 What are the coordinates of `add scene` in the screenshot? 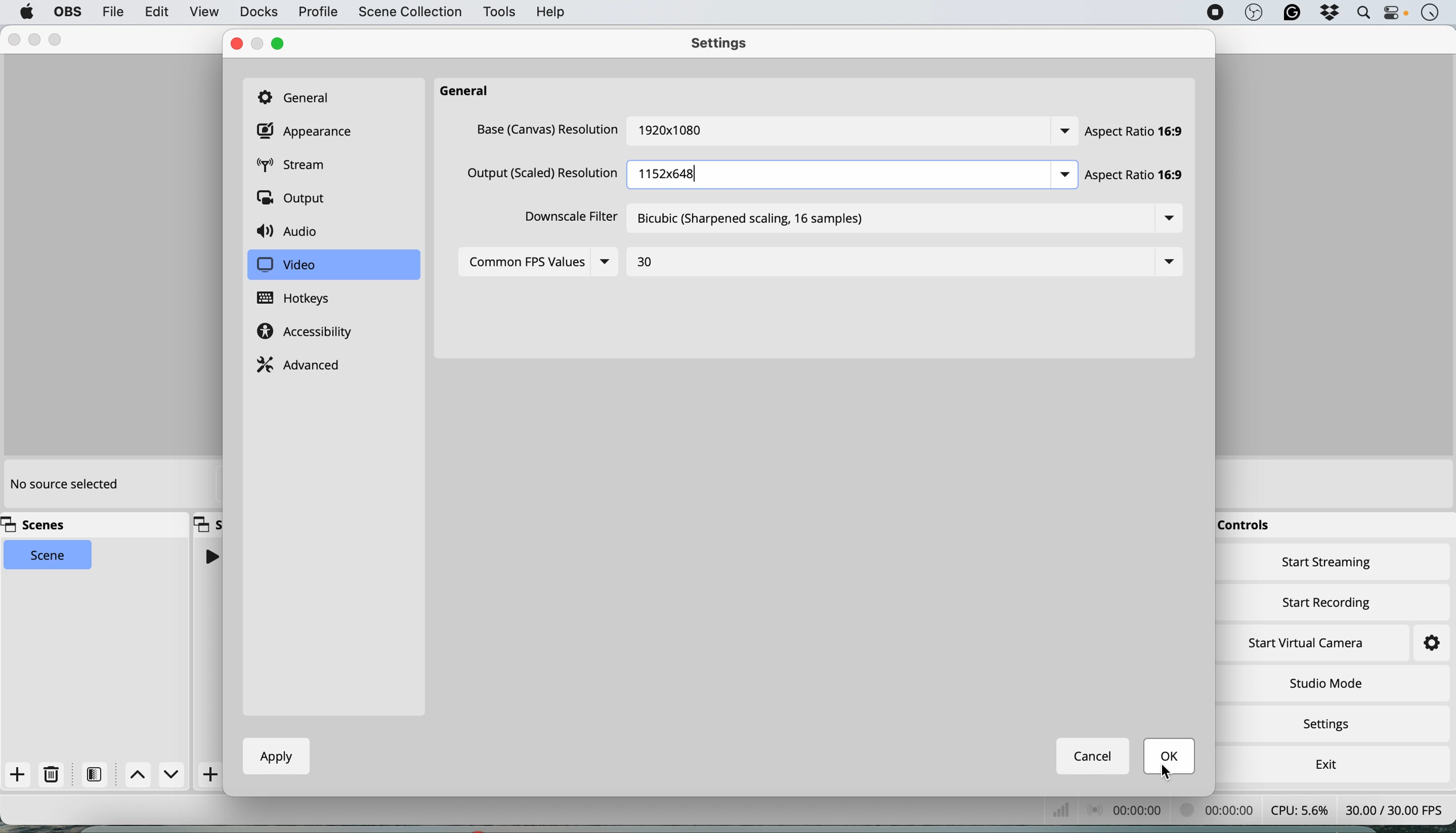 It's located at (18, 775).